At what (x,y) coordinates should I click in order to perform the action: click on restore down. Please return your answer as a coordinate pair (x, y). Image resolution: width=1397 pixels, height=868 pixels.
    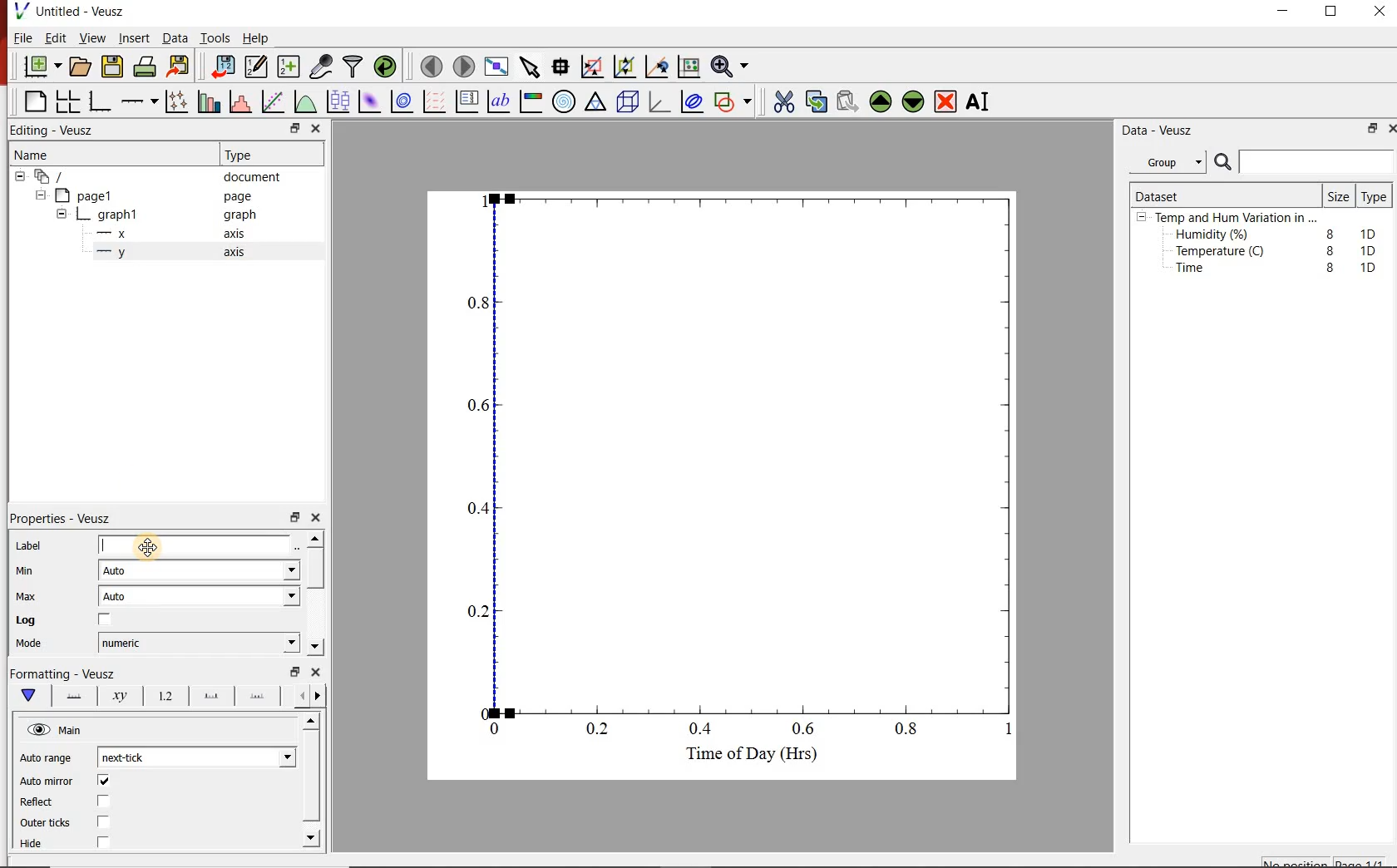
    Looking at the image, I should click on (294, 518).